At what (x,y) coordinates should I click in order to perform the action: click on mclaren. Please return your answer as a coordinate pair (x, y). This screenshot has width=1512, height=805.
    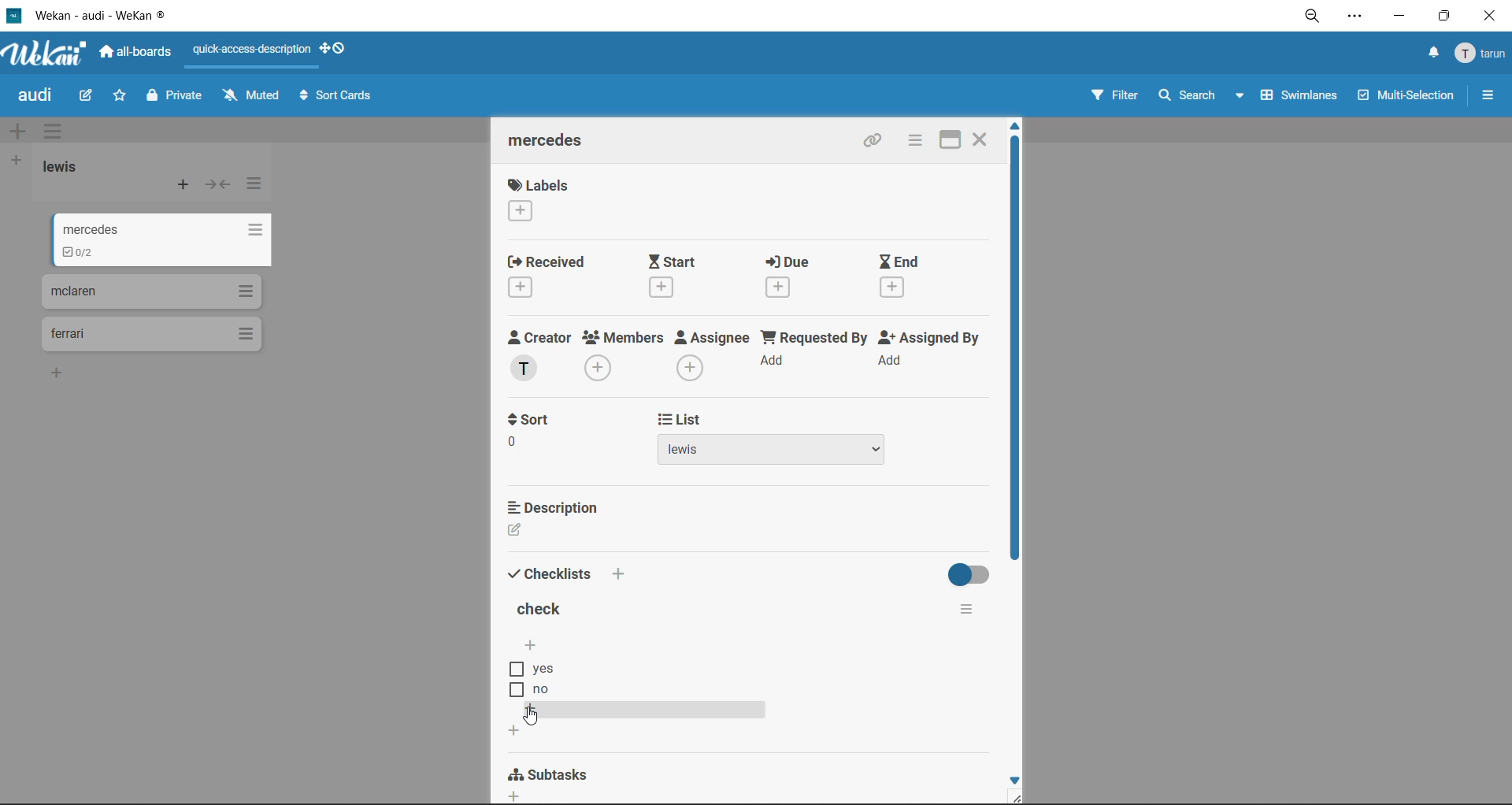
    Looking at the image, I should click on (76, 293).